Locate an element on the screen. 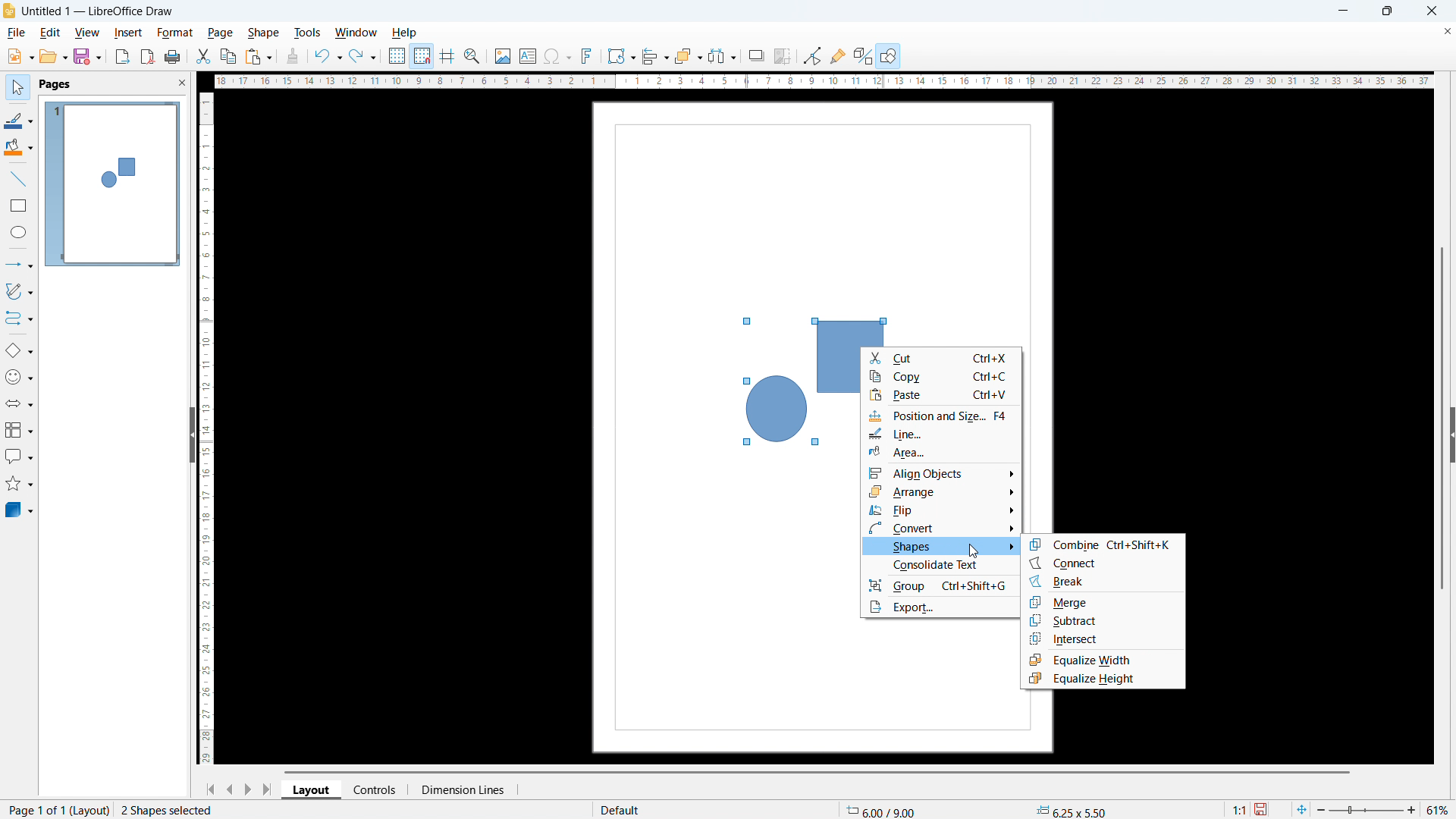 The image size is (1456, 819). minimize is located at coordinates (1341, 11).